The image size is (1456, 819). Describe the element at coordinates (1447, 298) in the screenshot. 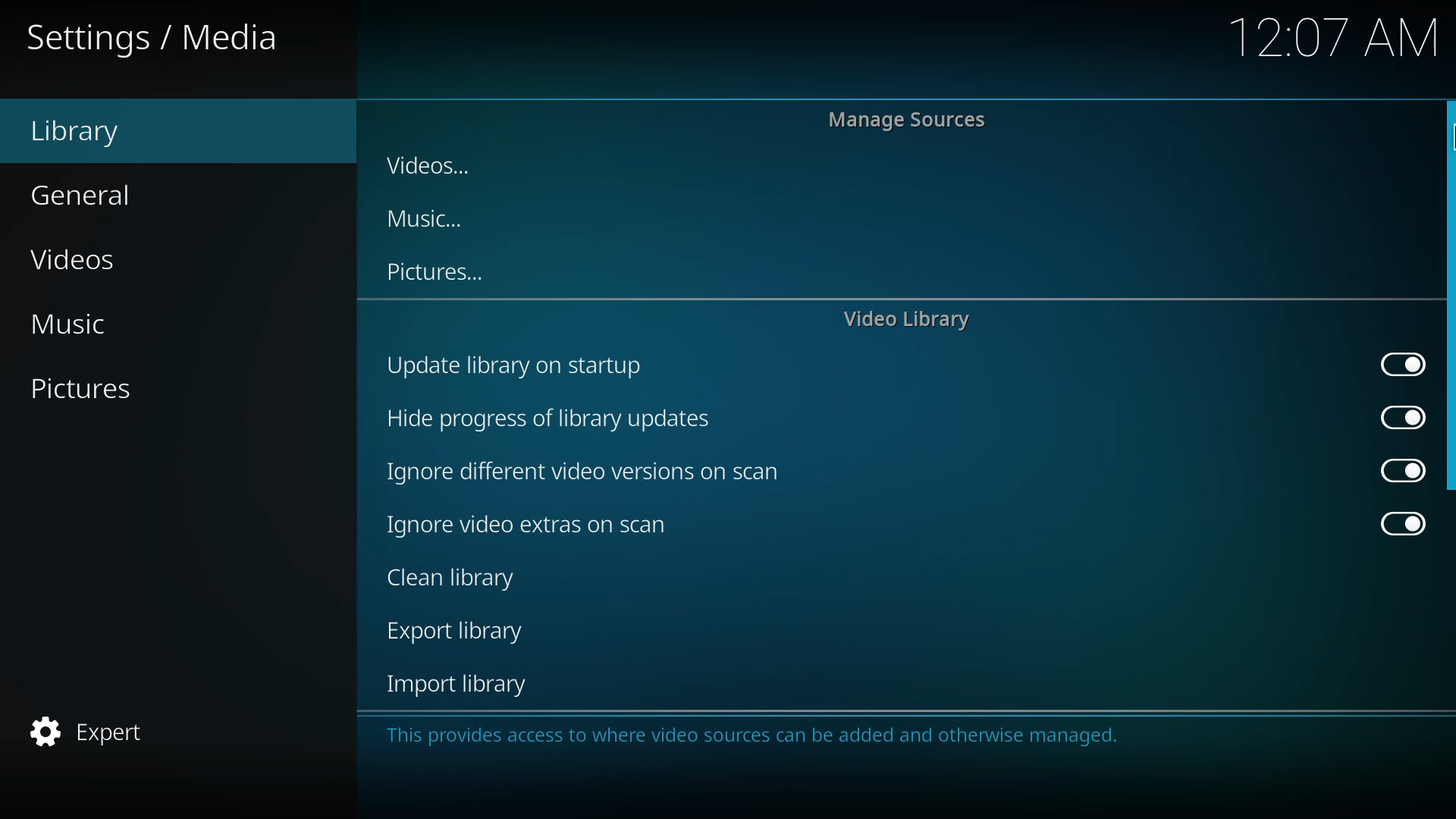

I see `Scroll Bar` at that location.